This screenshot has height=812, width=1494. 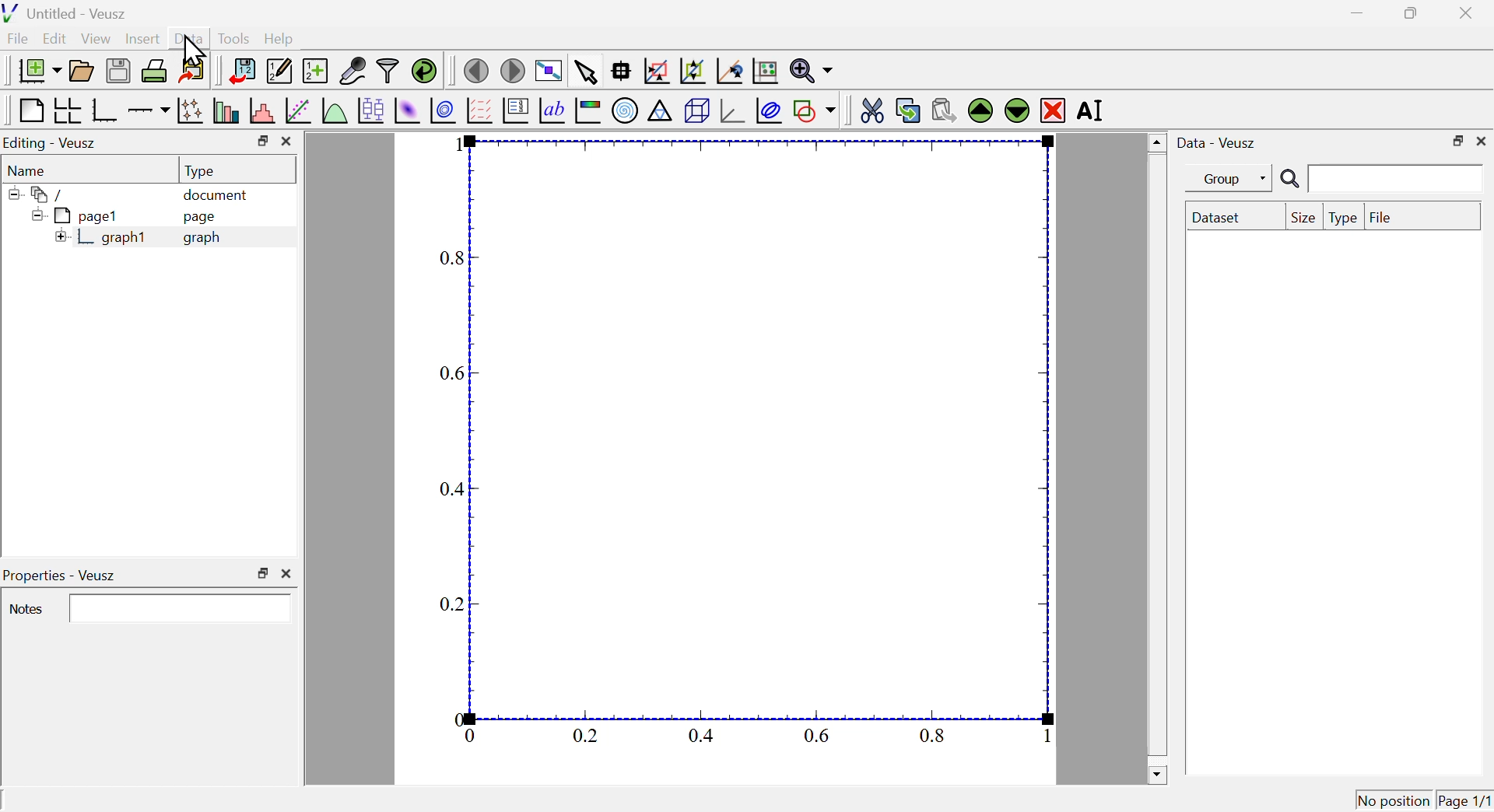 What do you see at coordinates (1455, 140) in the screenshot?
I see `maximize` at bounding box center [1455, 140].